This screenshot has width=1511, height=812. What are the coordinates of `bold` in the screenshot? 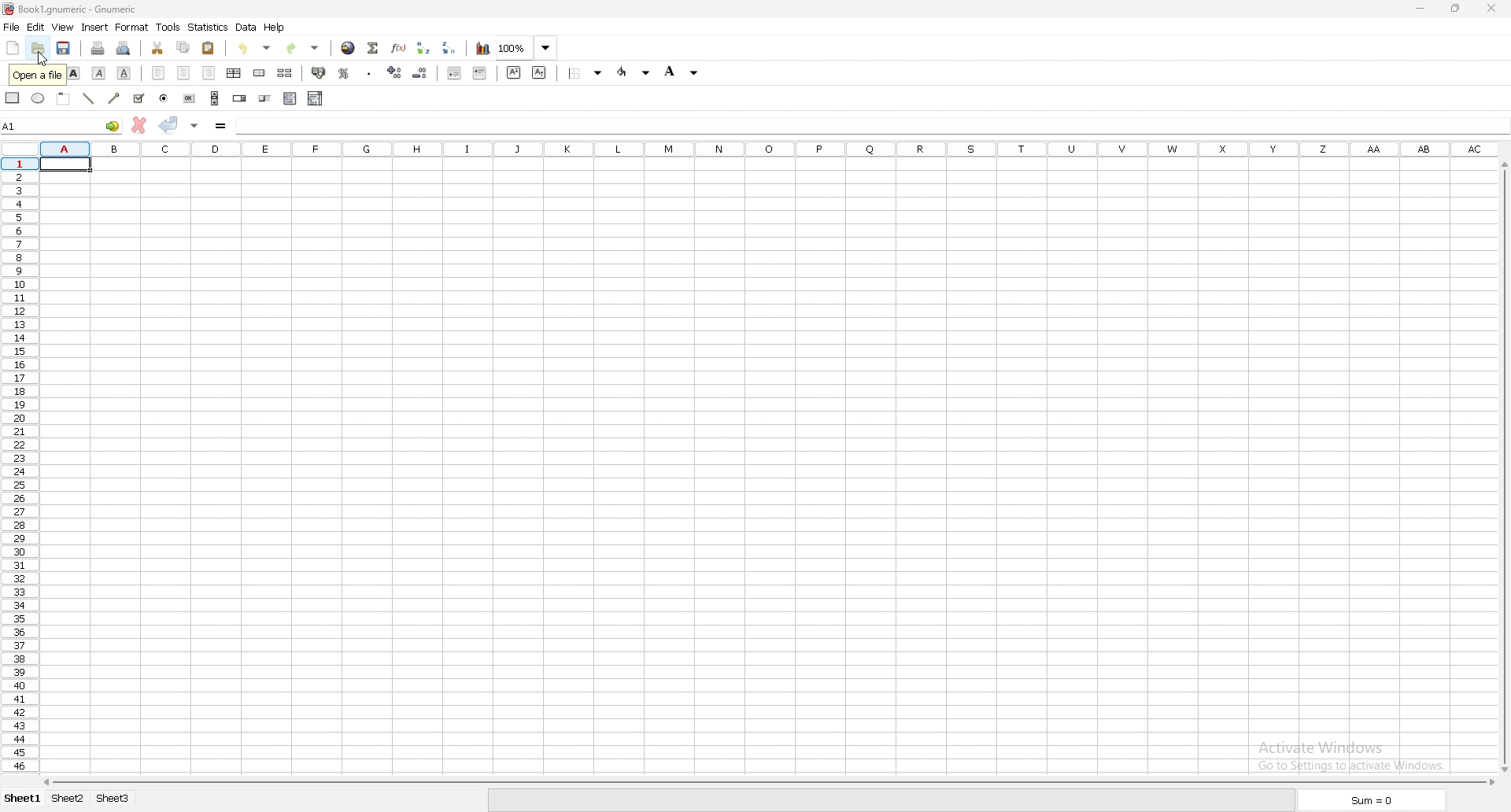 It's located at (74, 74).